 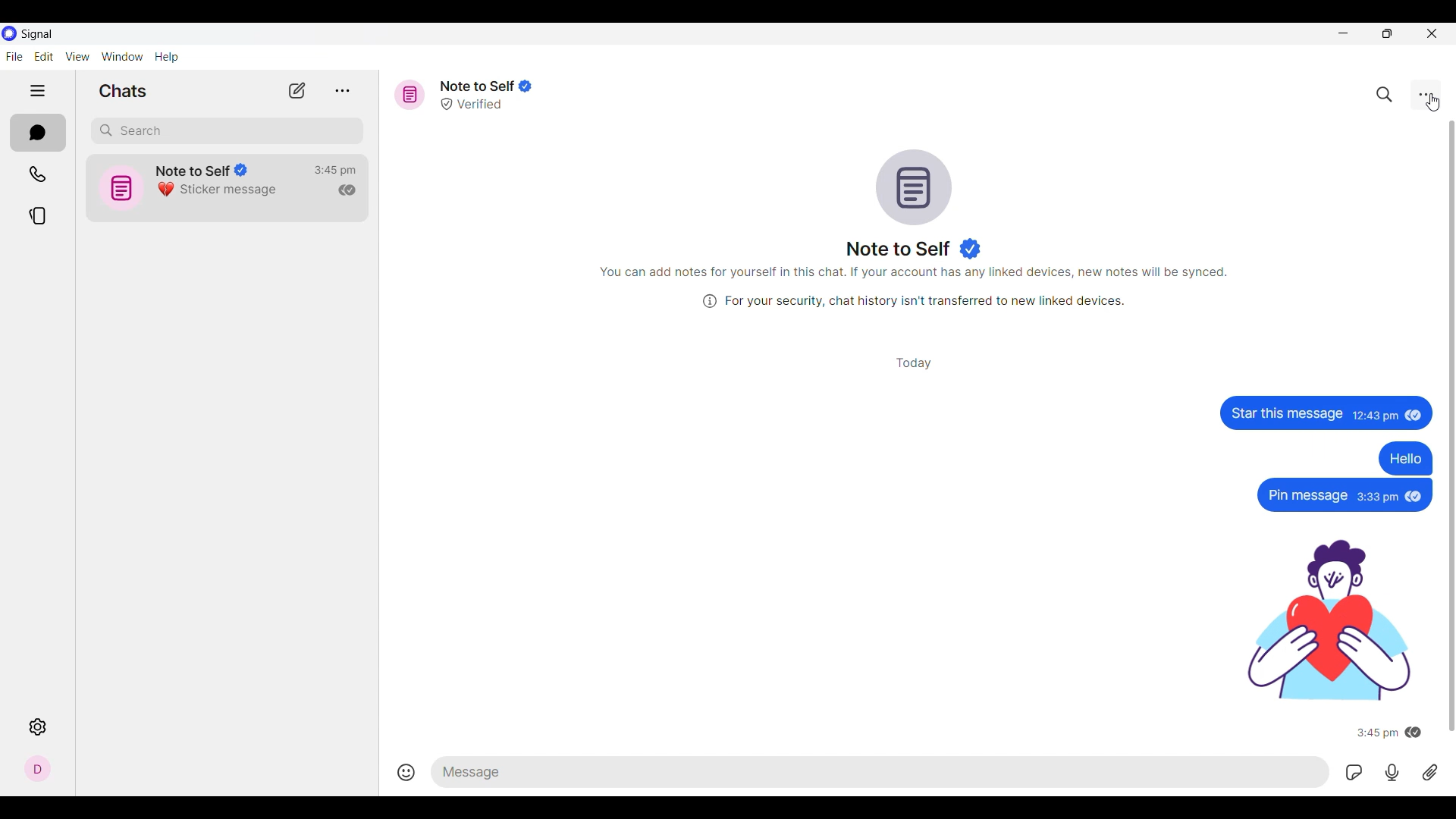 What do you see at coordinates (1435, 106) in the screenshot?
I see `Cursor` at bounding box center [1435, 106].